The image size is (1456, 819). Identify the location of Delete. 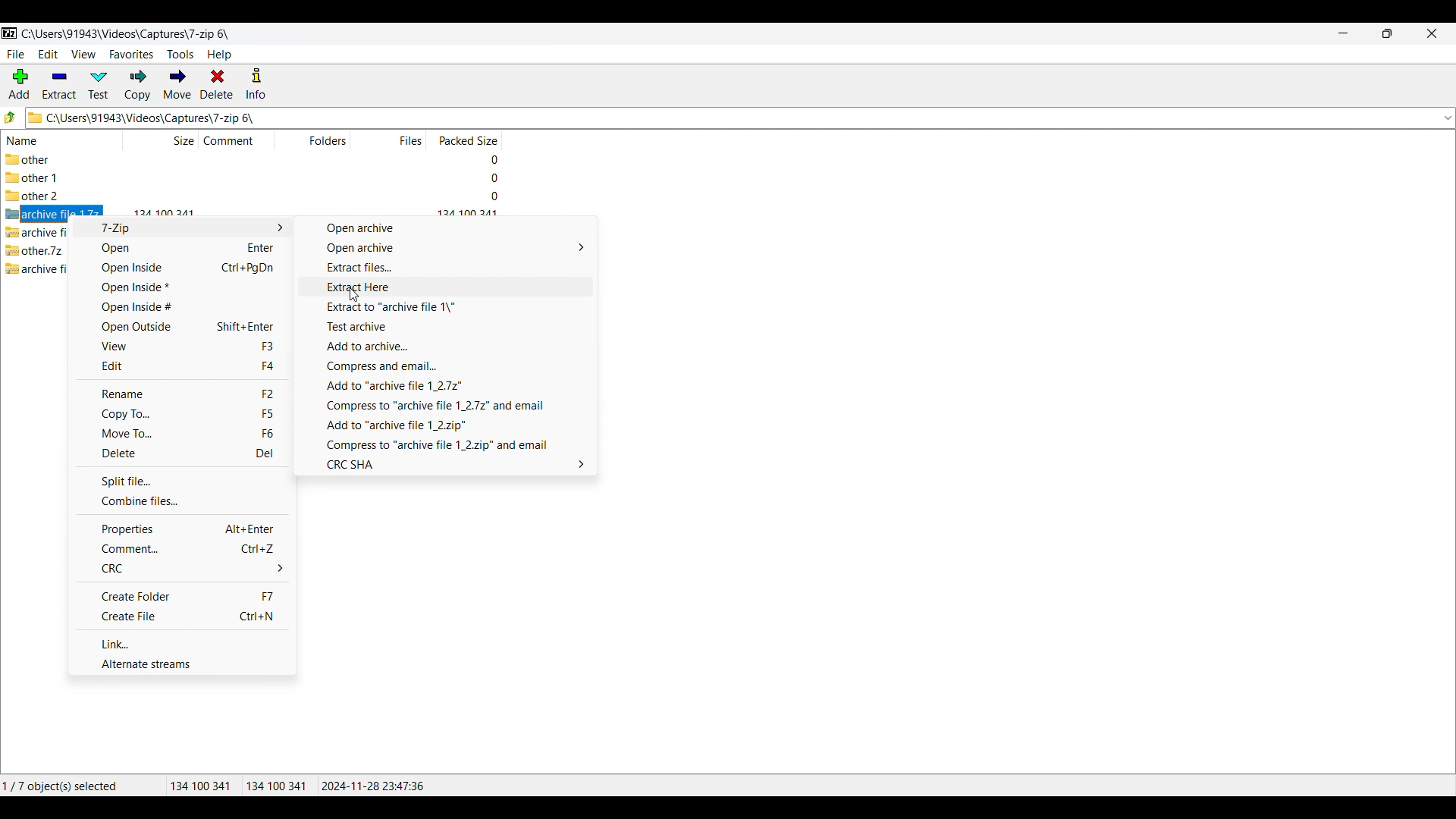
(217, 83).